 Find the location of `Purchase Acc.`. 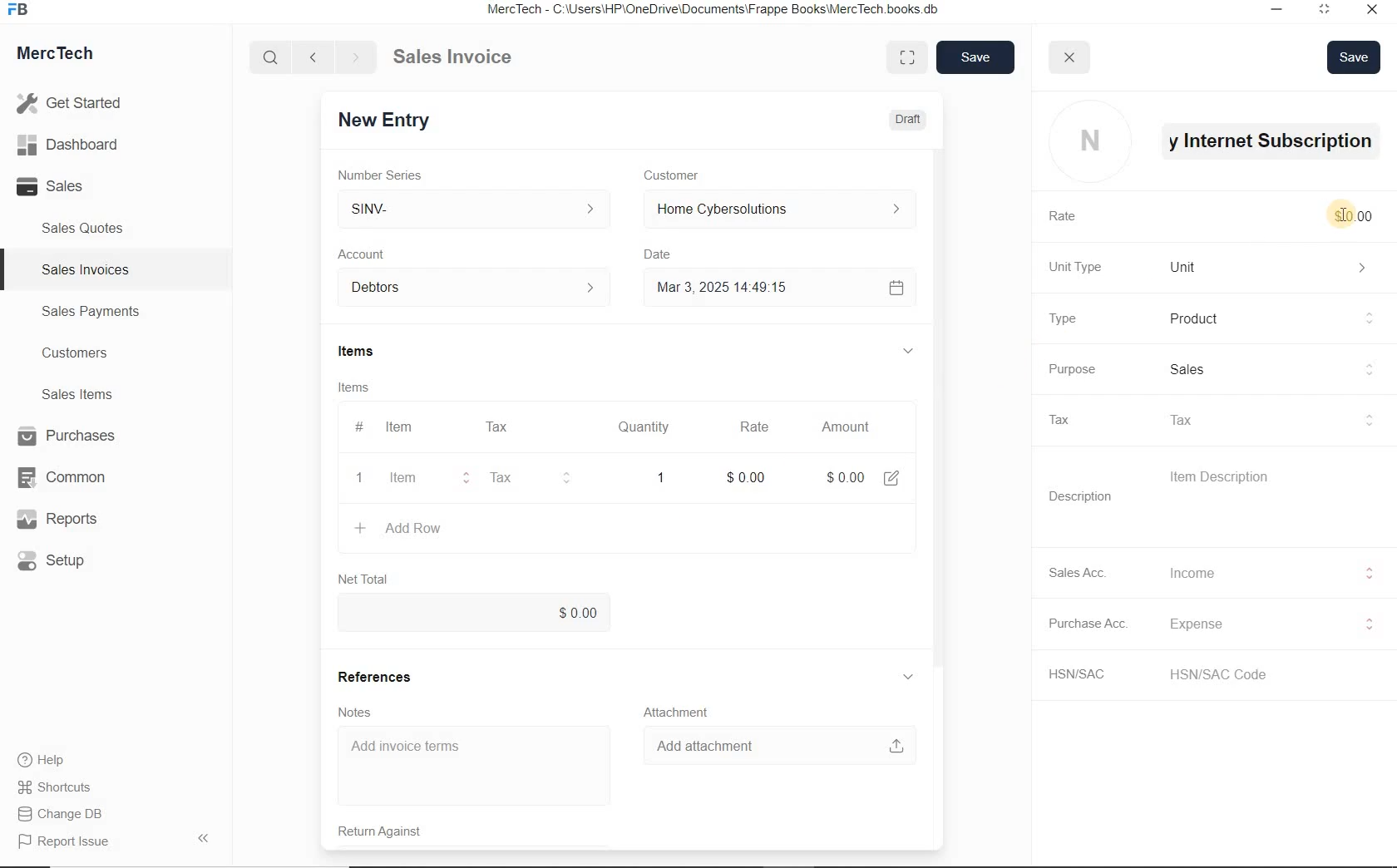

Purchase Acc. is located at coordinates (1090, 625).